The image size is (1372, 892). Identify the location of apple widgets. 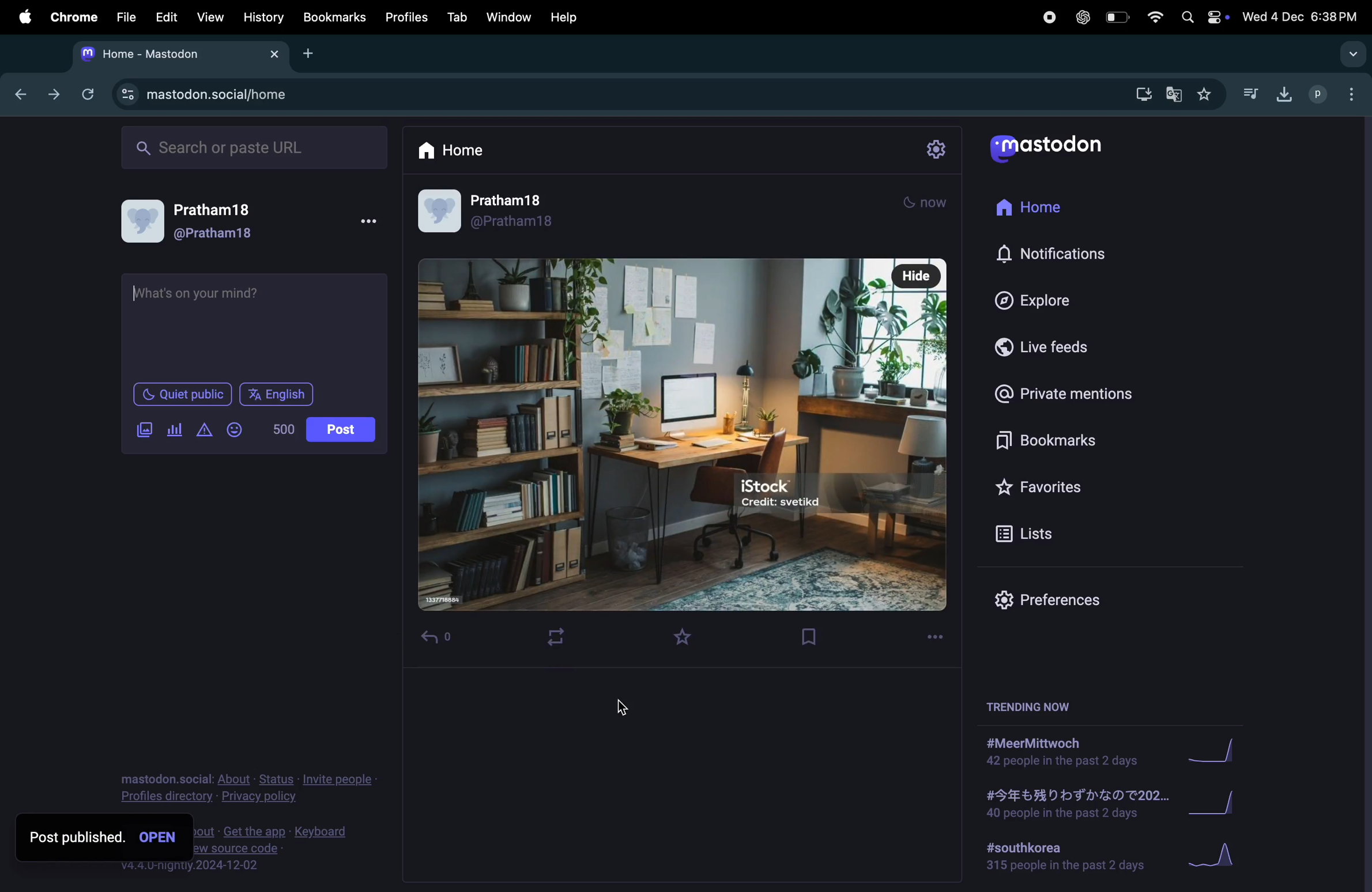
(1204, 17).